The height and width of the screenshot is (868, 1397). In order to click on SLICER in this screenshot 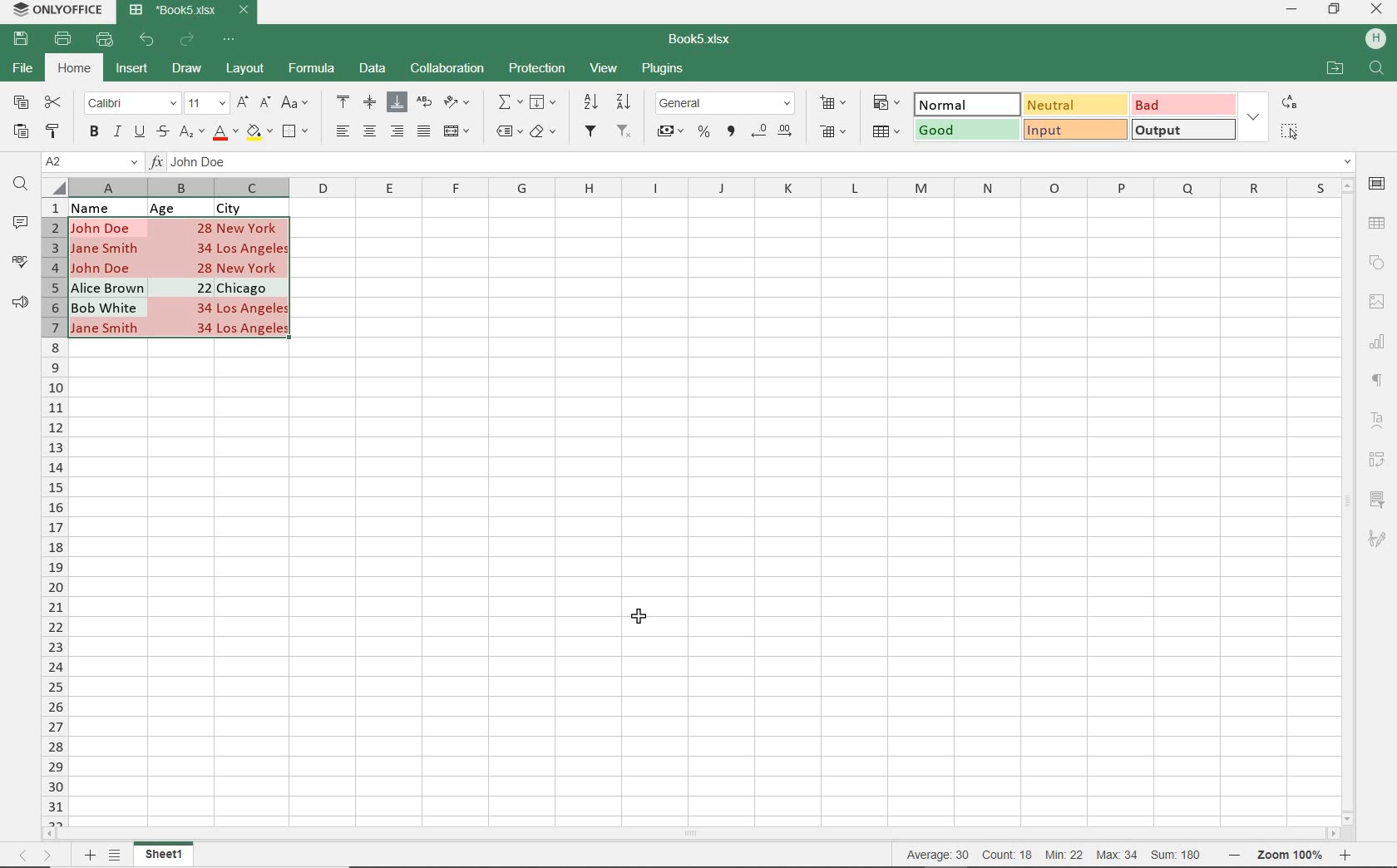, I will do `click(1379, 501)`.